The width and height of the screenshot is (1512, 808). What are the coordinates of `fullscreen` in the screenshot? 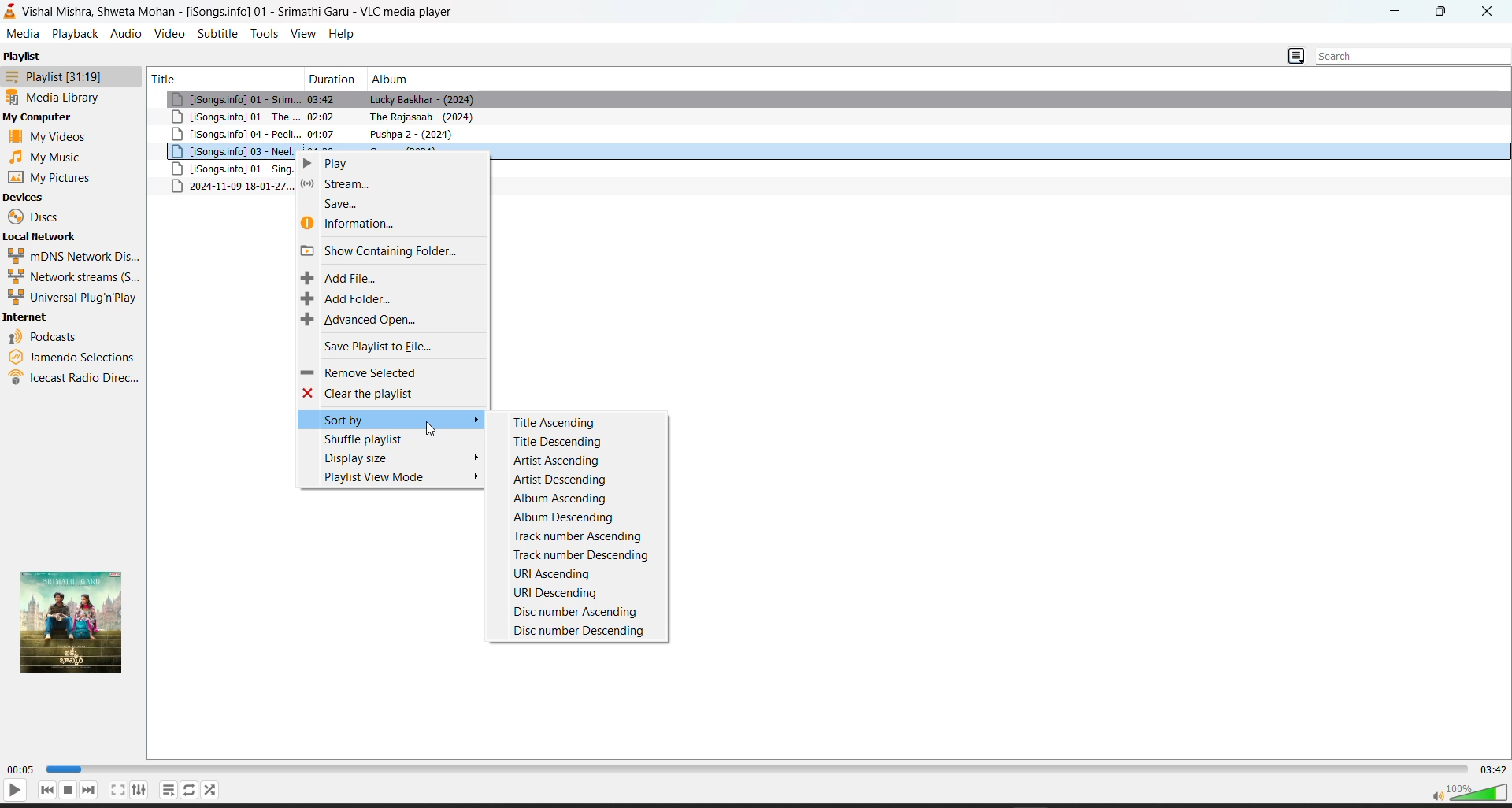 It's located at (117, 790).